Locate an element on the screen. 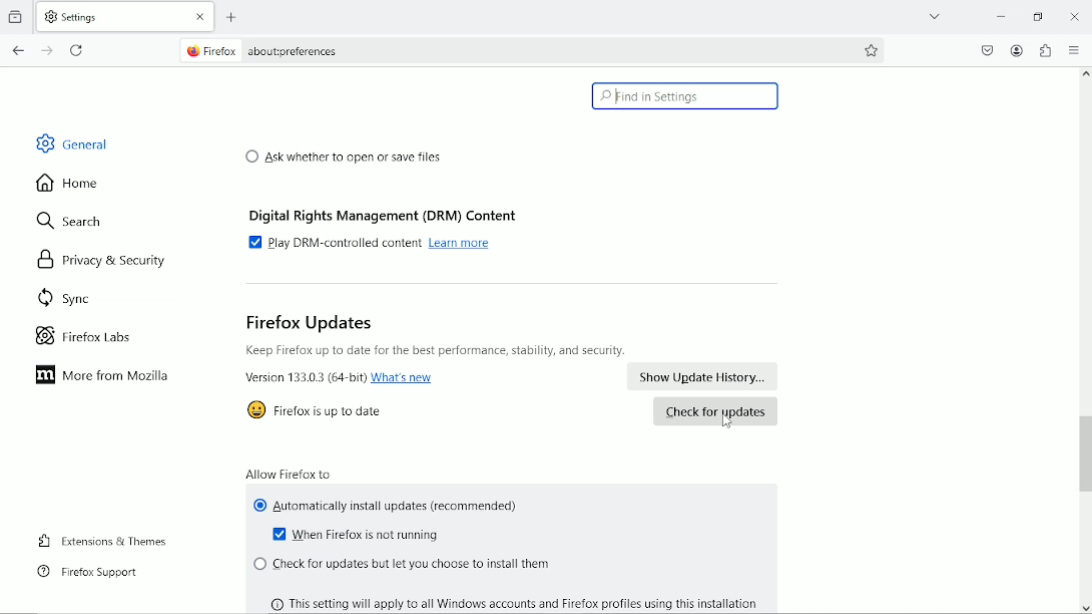 The image size is (1092, 614). vertical scrollbar is located at coordinates (1085, 454).